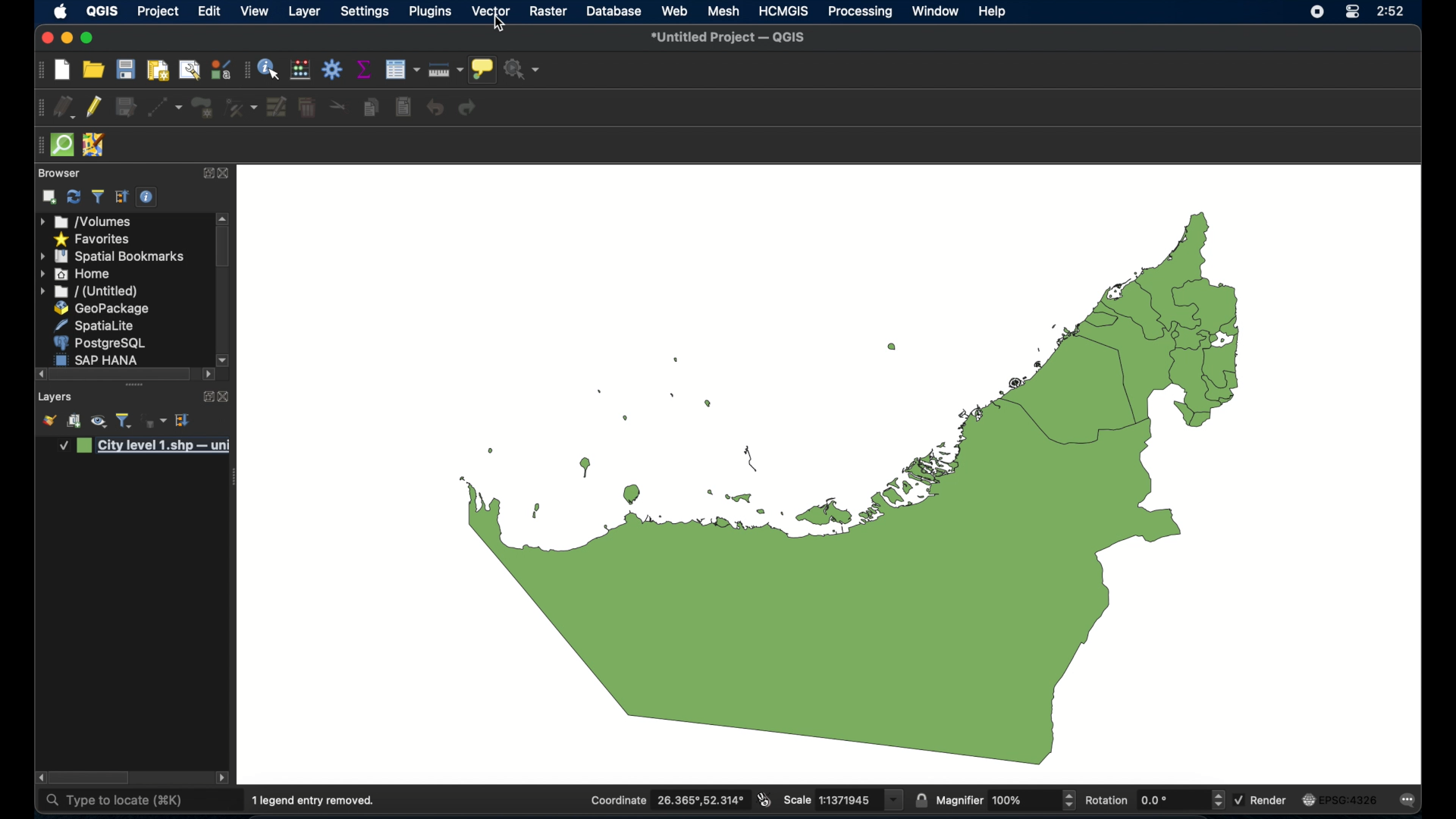 The image size is (1456, 819). Describe the element at coordinates (146, 197) in the screenshot. I see `enable/disable properties widget` at that location.